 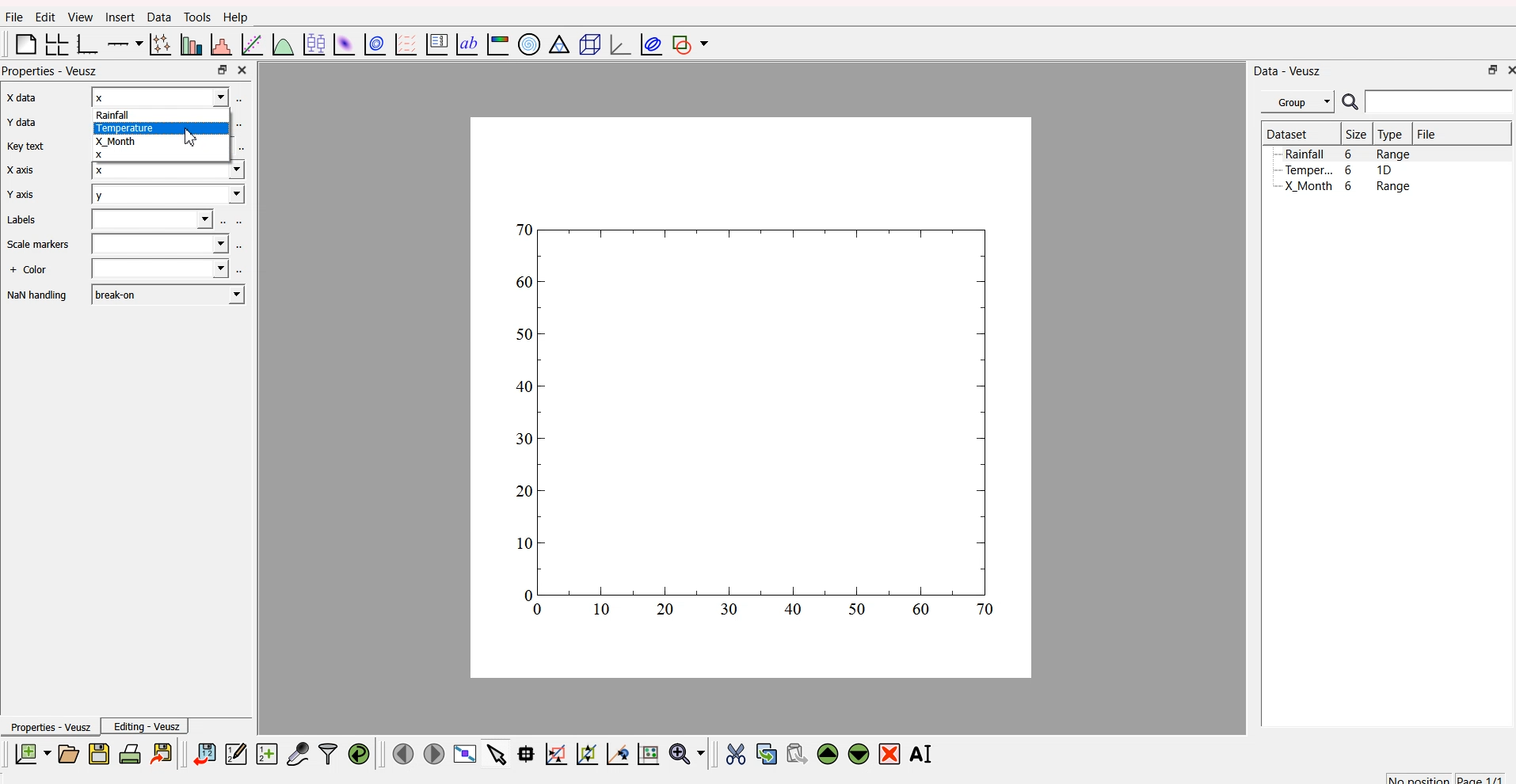 What do you see at coordinates (22, 170) in the screenshot?
I see `X axis` at bounding box center [22, 170].